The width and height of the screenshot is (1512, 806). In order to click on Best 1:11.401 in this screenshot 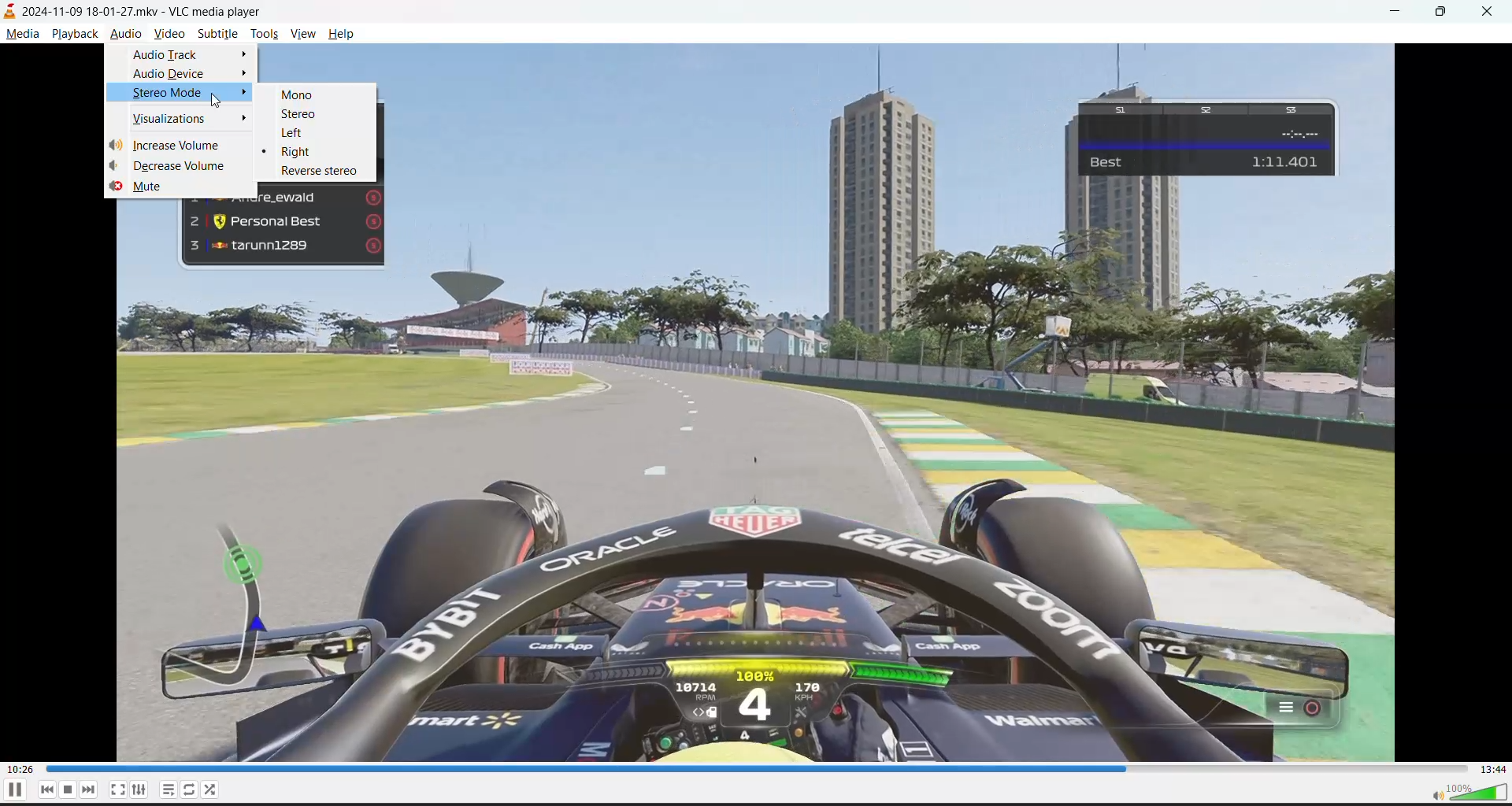, I will do `click(1210, 139)`.